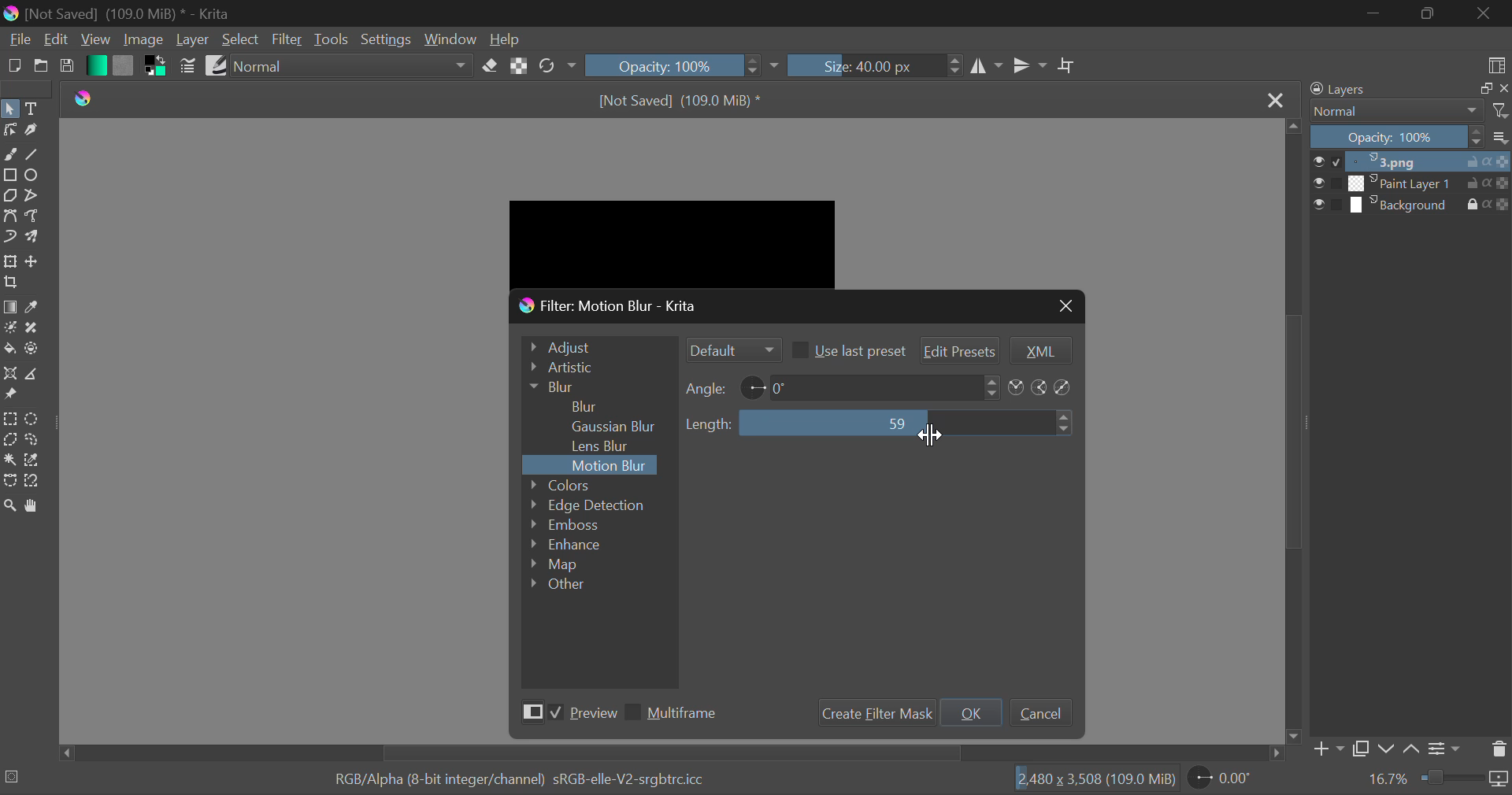 The height and width of the screenshot is (795, 1512). I want to click on Close, so click(1484, 14).